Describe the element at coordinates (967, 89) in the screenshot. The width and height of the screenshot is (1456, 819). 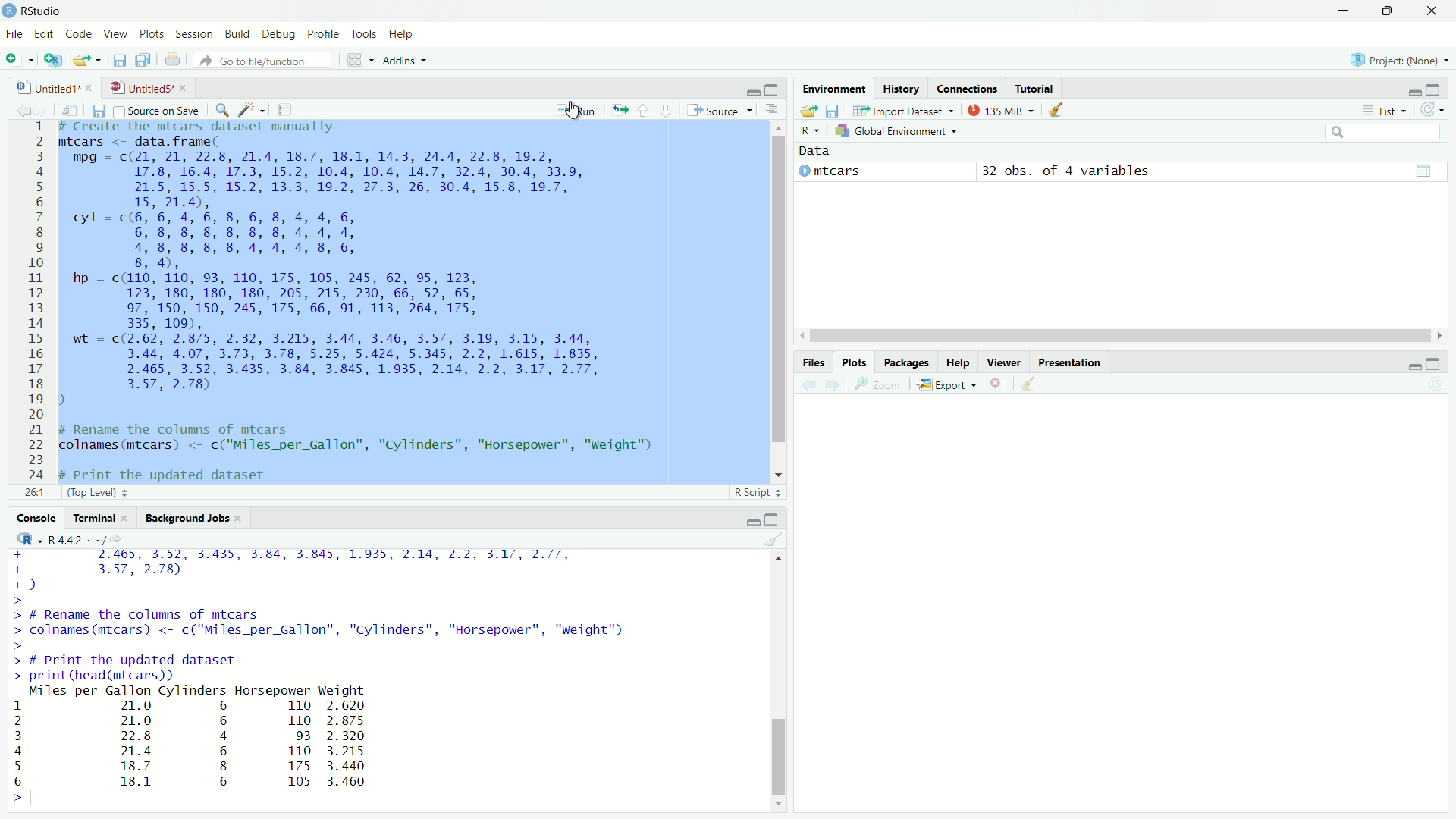
I see `Connections` at that location.